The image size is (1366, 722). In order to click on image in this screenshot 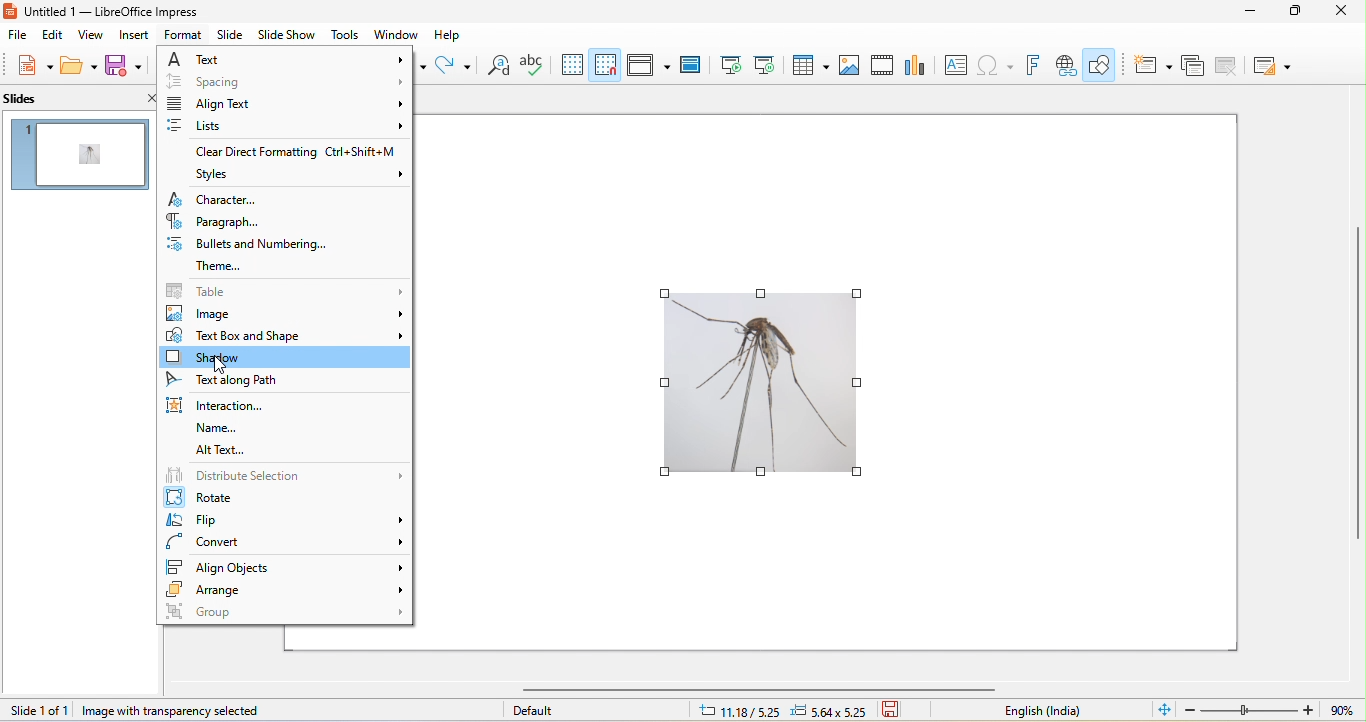, I will do `click(848, 65)`.